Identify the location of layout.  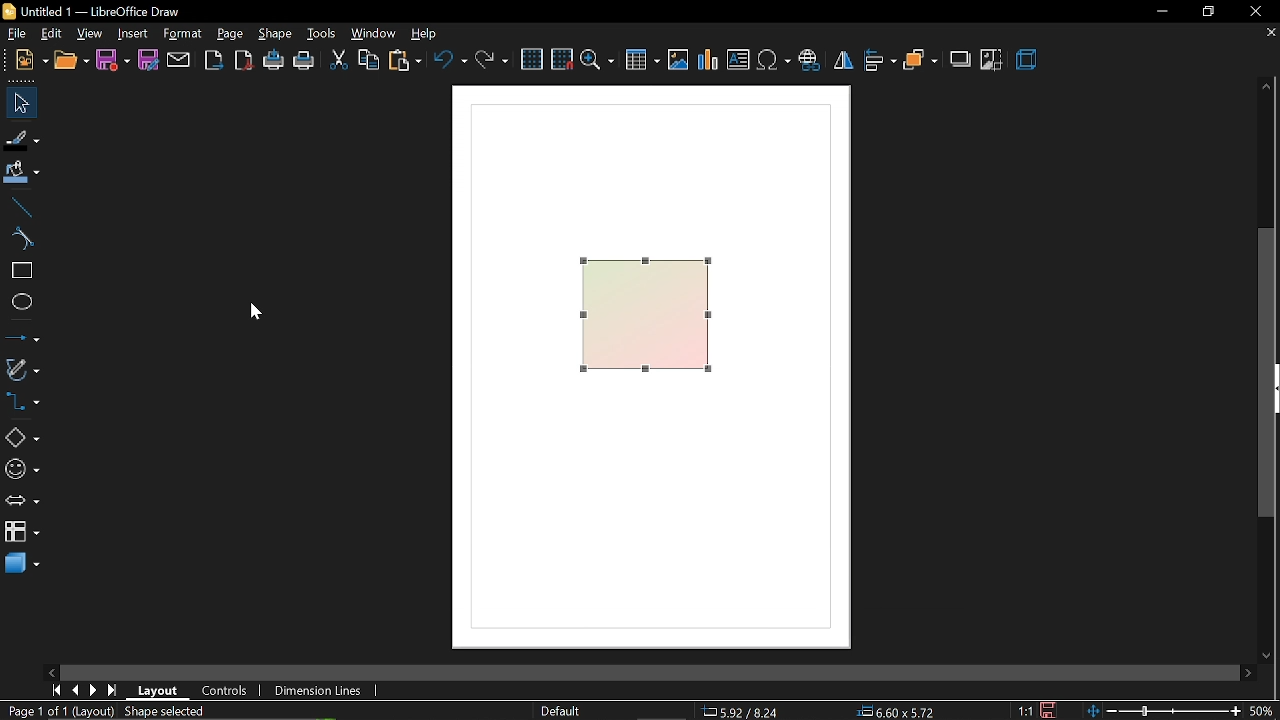
(160, 689).